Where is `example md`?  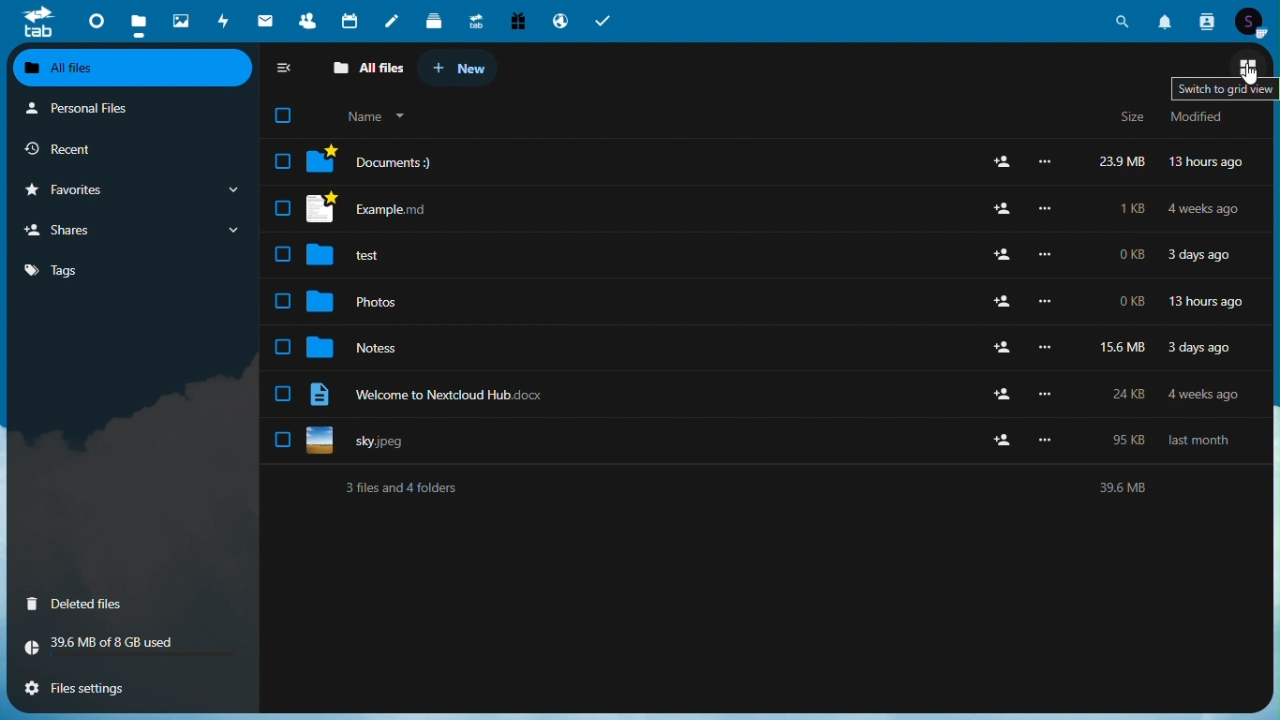 example md is located at coordinates (406, 209).